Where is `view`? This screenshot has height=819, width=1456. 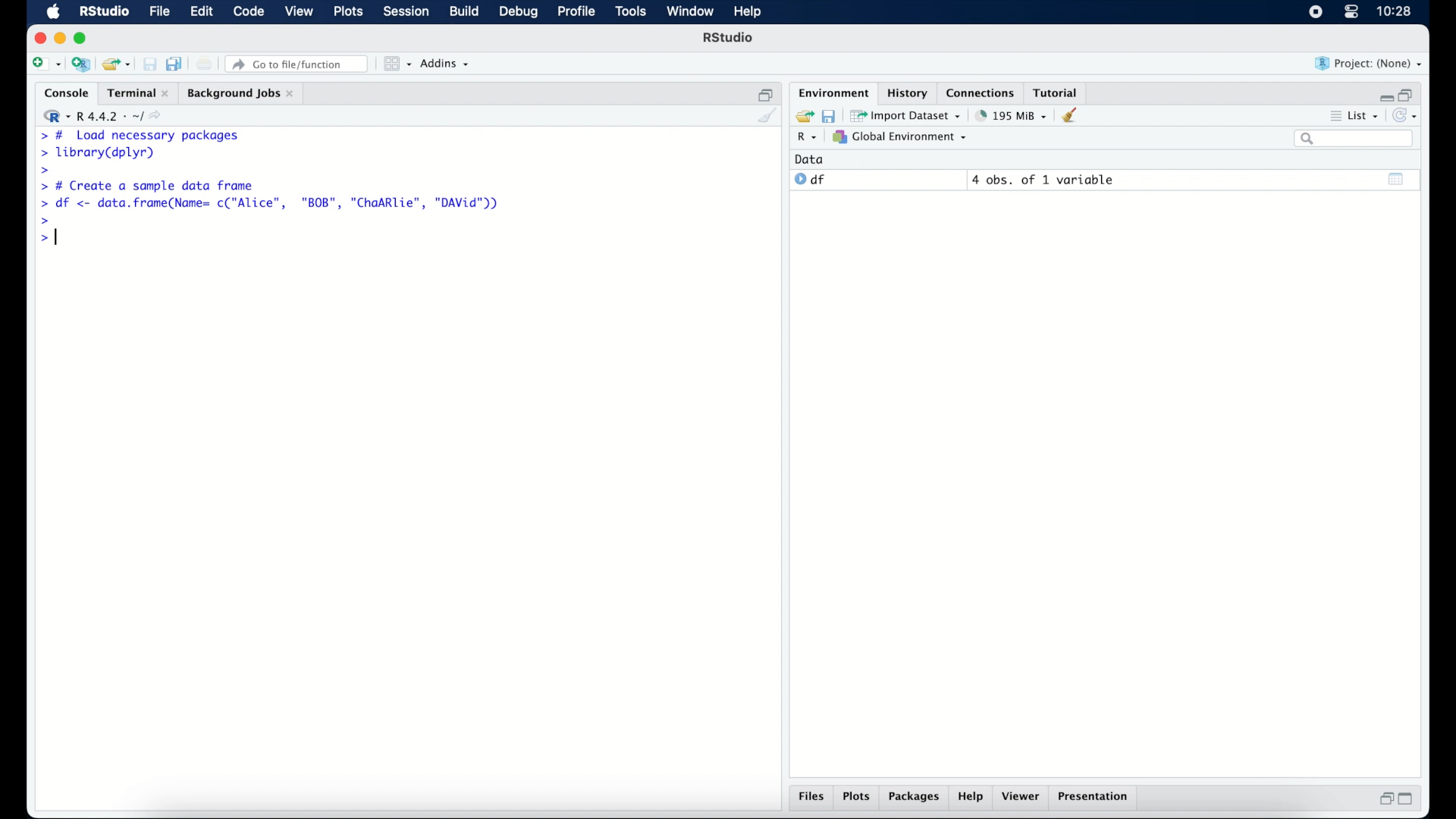
view is located at coordinates (300, 13).